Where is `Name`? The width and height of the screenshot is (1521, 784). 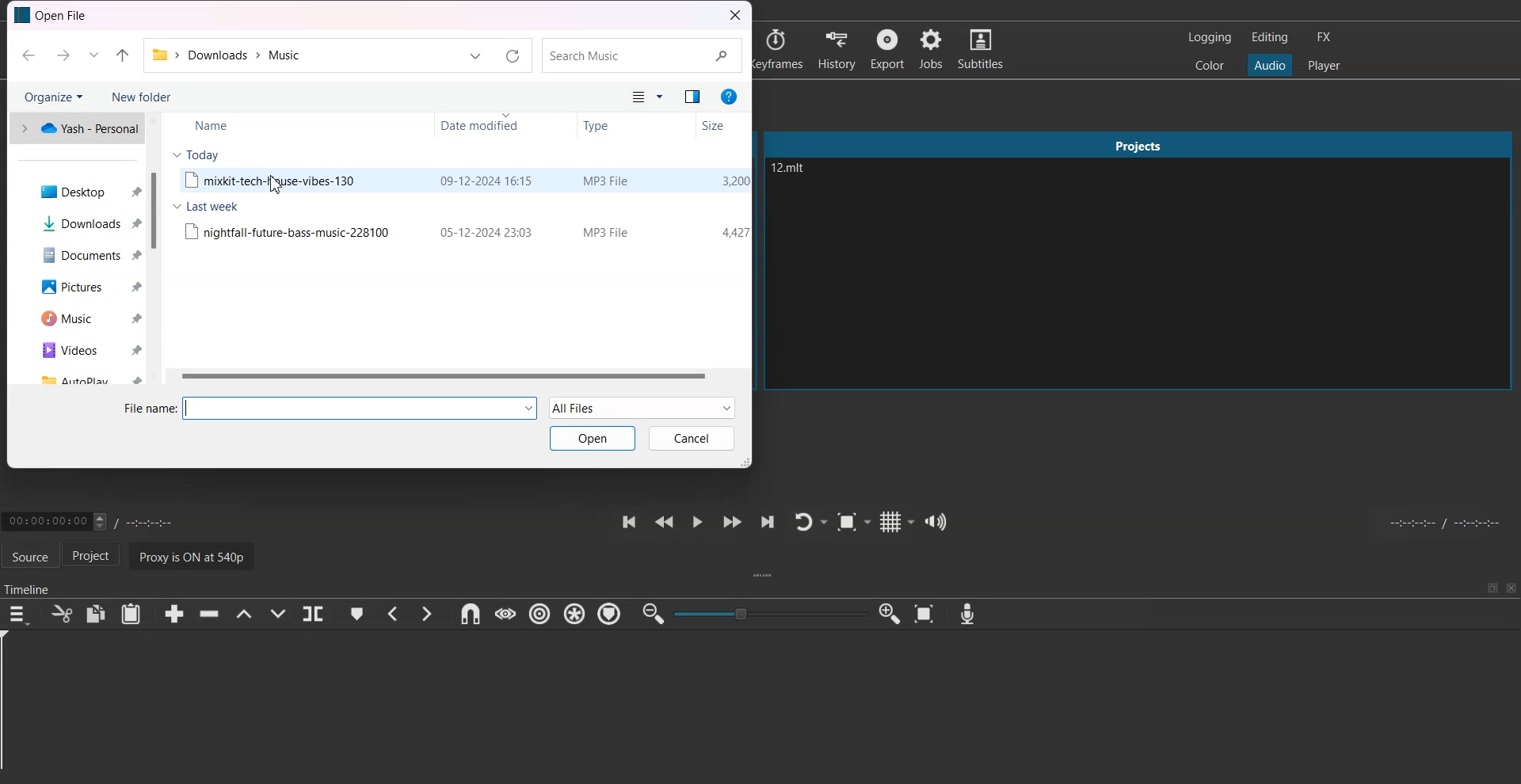
Name is located at coordinates (272, 124).